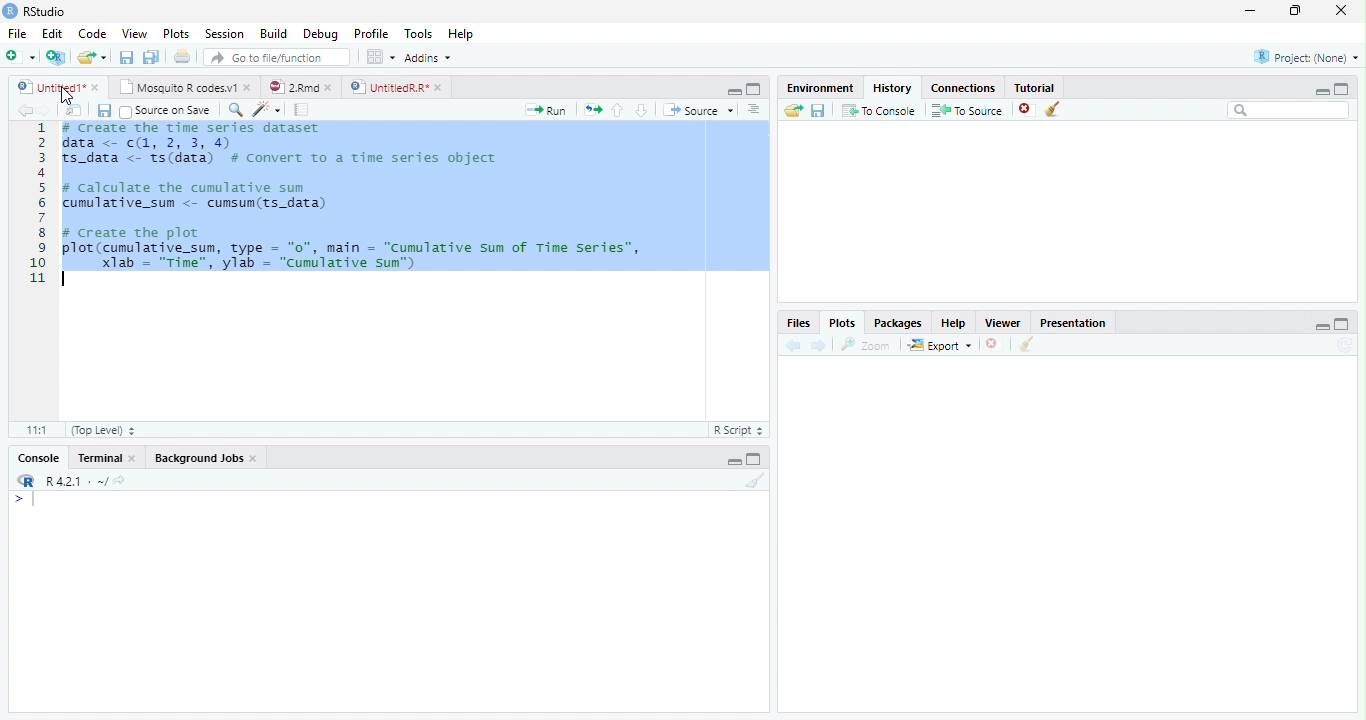 The width and height of the screenshot is (1366, 720). What do you see at coordinates (46, 110) in the screenshot?
I see `Next` at bounding box center [46, 110].